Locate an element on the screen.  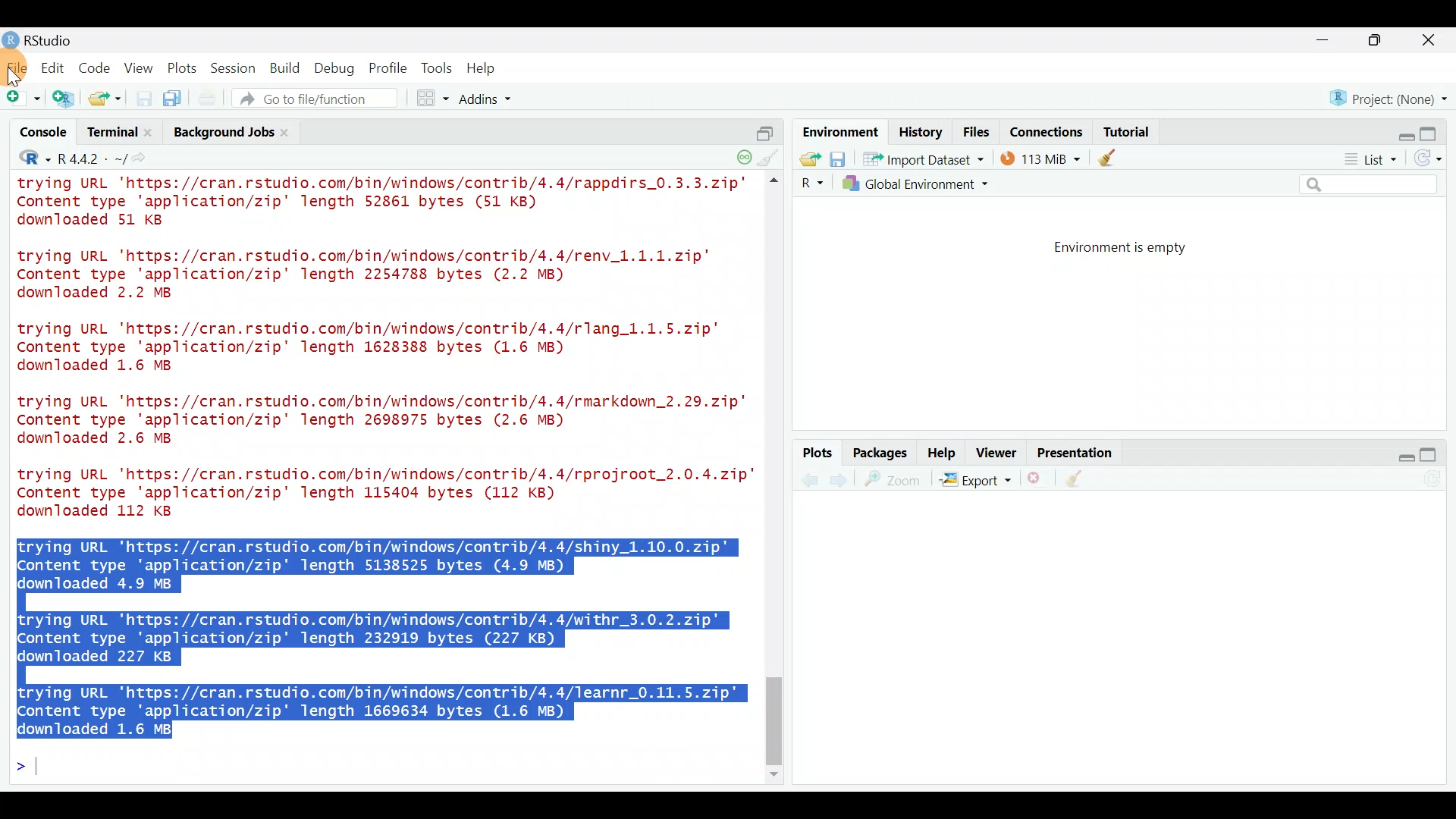
trying URL 'https://cran.rstudio.com/bin/windows/contrib/4.4/shiny_1.10.0.zip"
Content type 'application/zip' length 5138525 bytes (4.9 MB)
downloaded 4.9 MB is located at coordinates (386, 563).